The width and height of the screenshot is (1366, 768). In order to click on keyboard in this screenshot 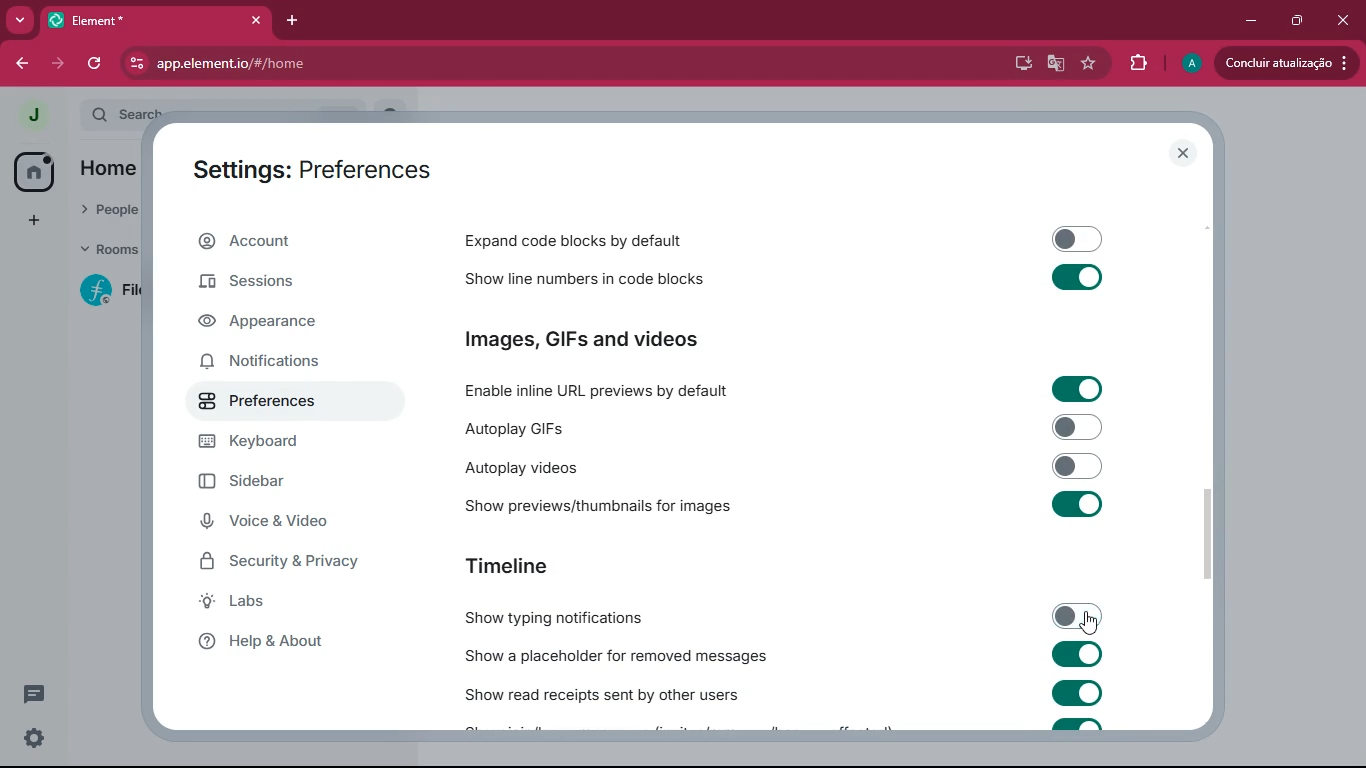, I will do `click(277, 443)`.